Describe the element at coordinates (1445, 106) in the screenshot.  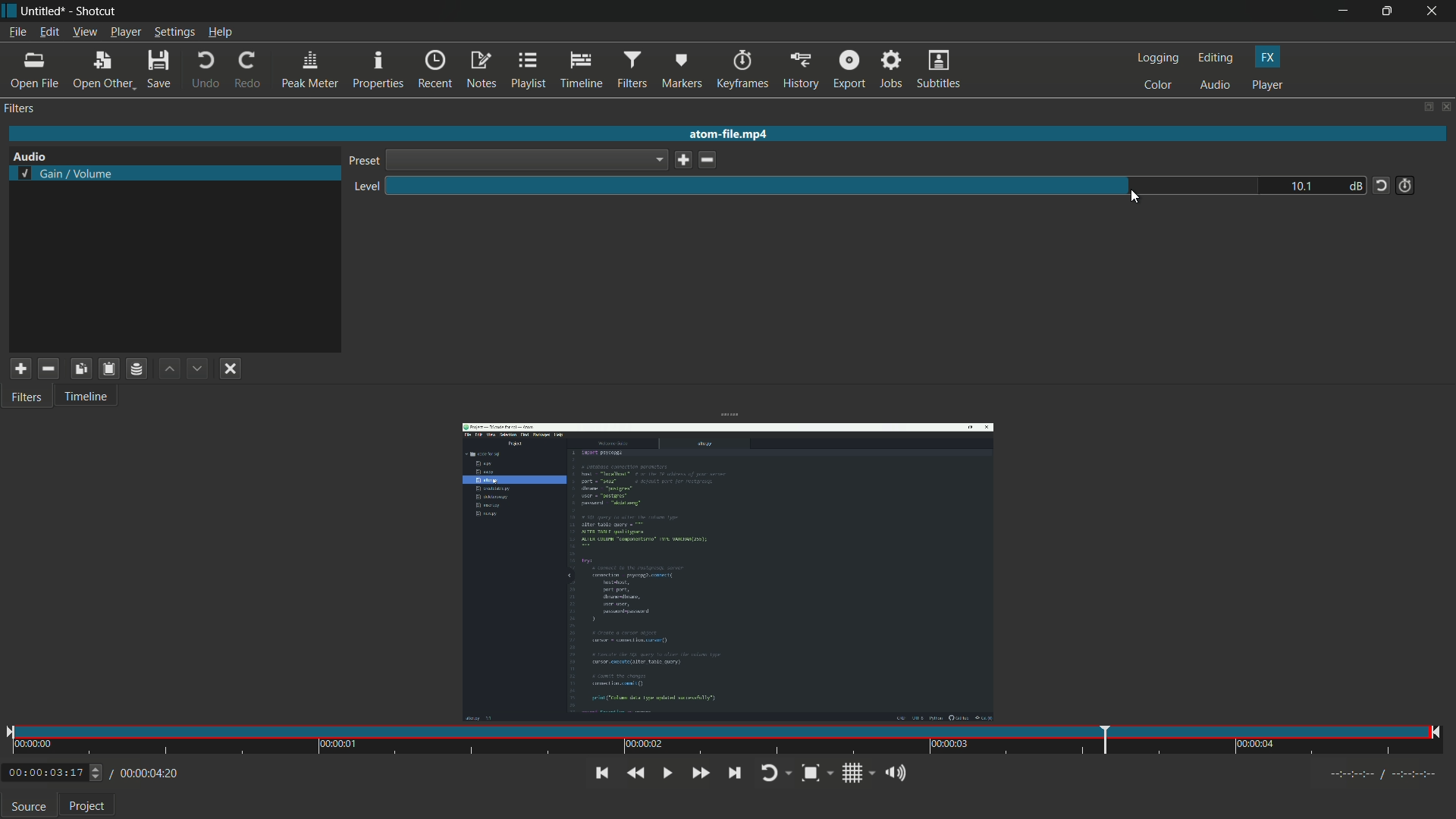
I see `close panel` at that location.